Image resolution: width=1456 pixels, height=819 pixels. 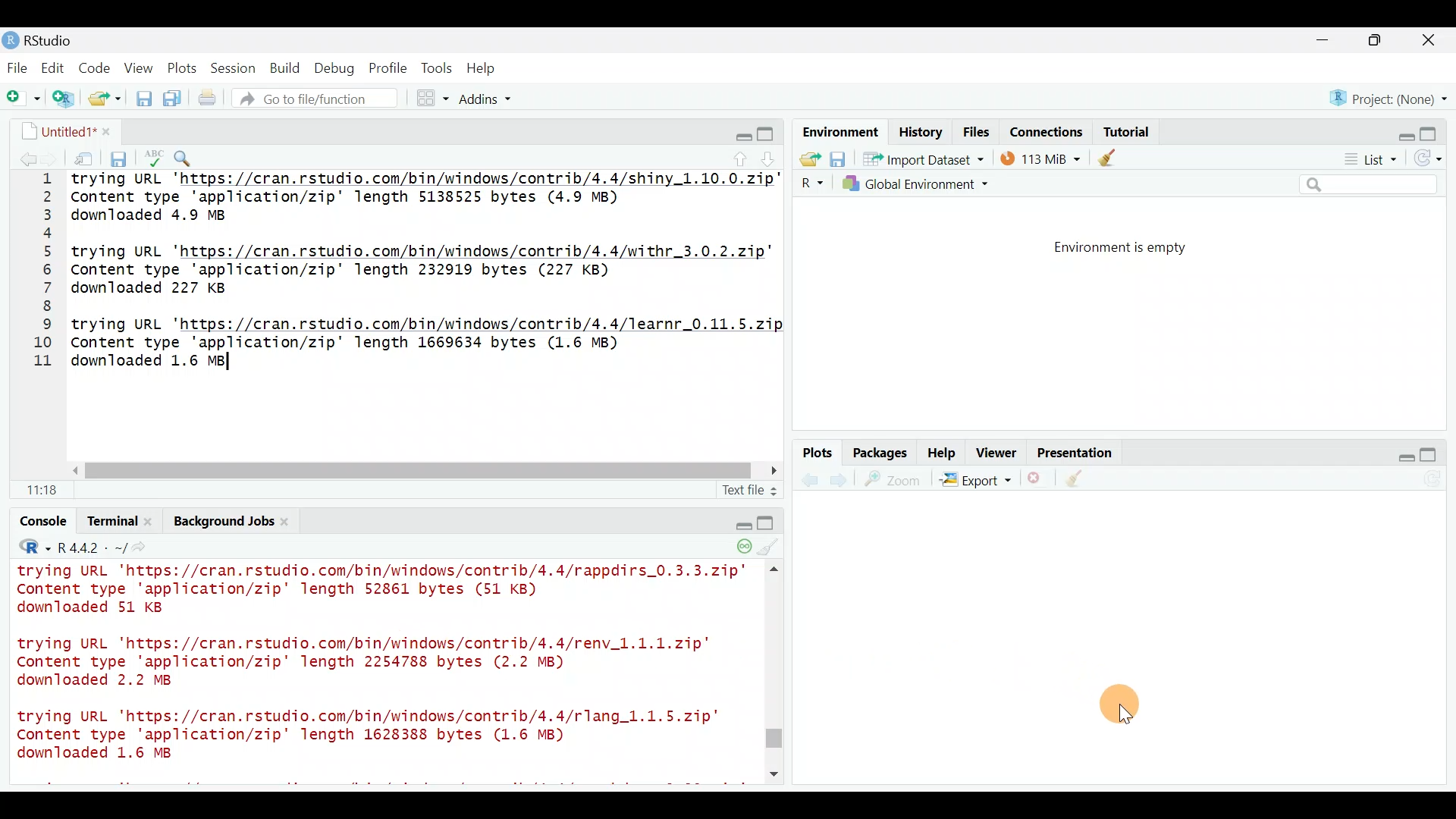 I want to click on trying URL 'https://cran.rstudio.com/bin/windows/contrib/4.4/rlang_1.1.5.zip"
Content type 'application/zip' length 1628388 bytes (1.6 MB)
downloaded 1.6 MB, so click(x=367, y=738).